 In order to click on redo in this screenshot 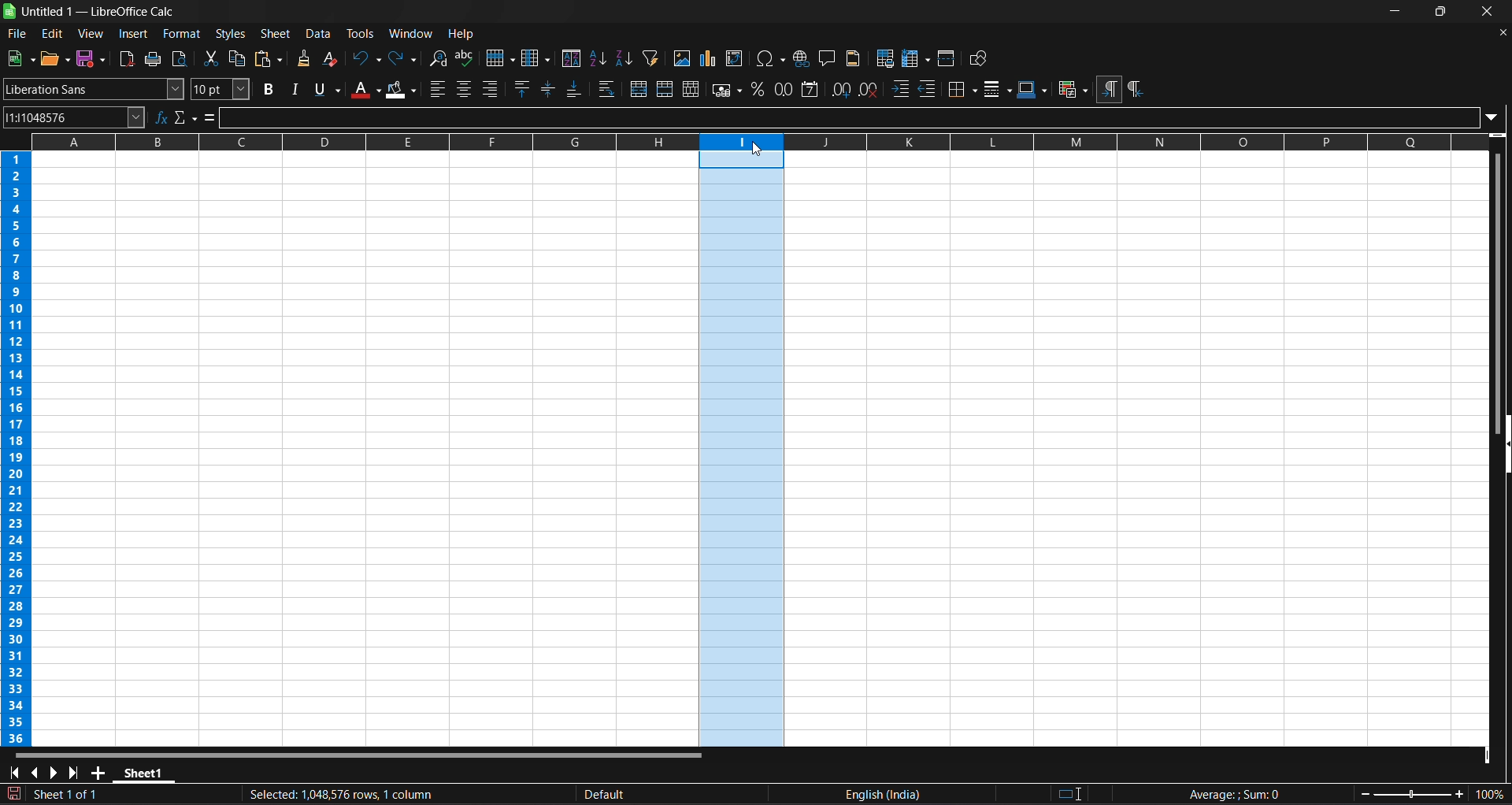, I will do `click(402, 58)`.